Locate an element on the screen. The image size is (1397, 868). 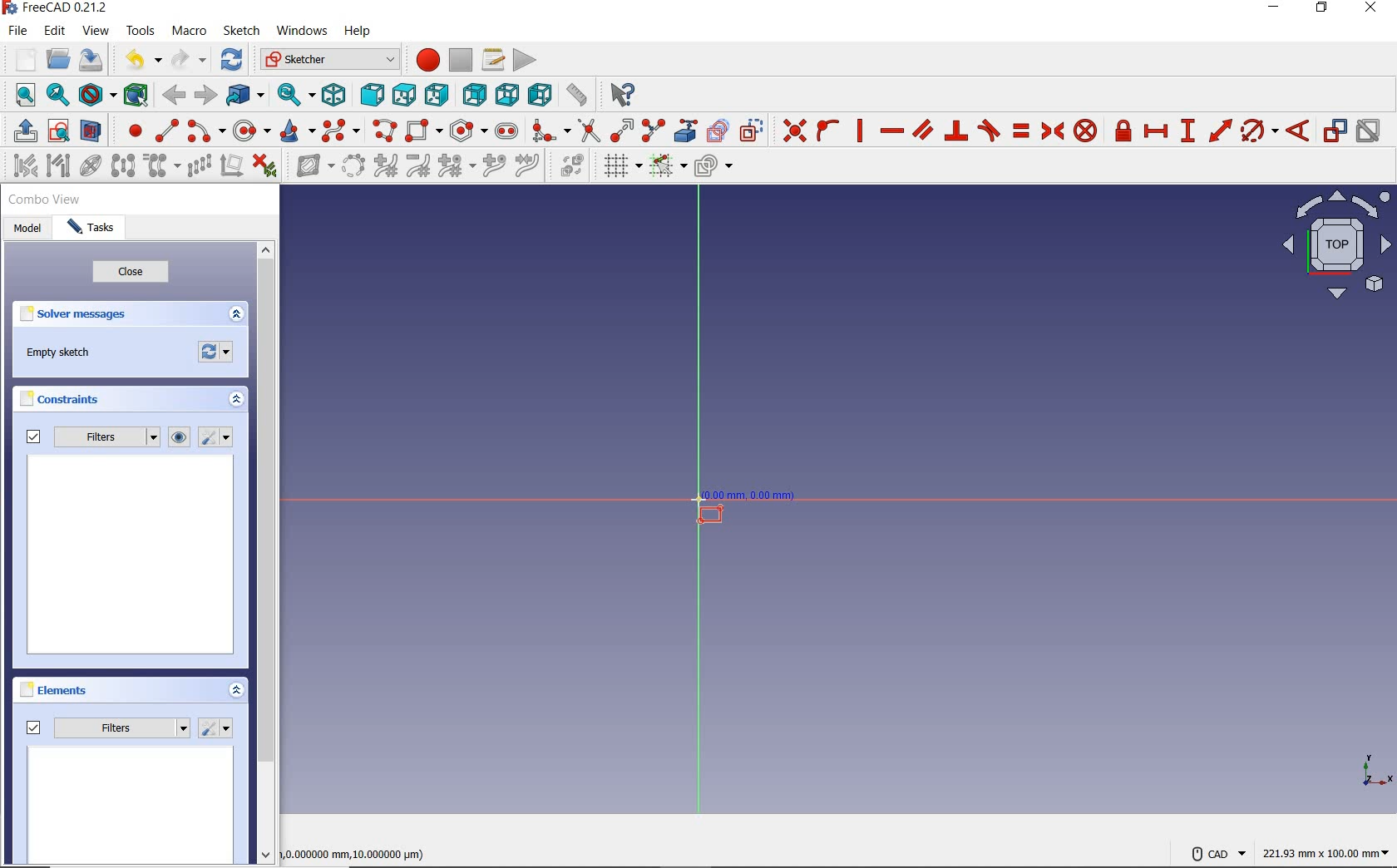
increase B-Spline degree is located at coordinates (491, 167).